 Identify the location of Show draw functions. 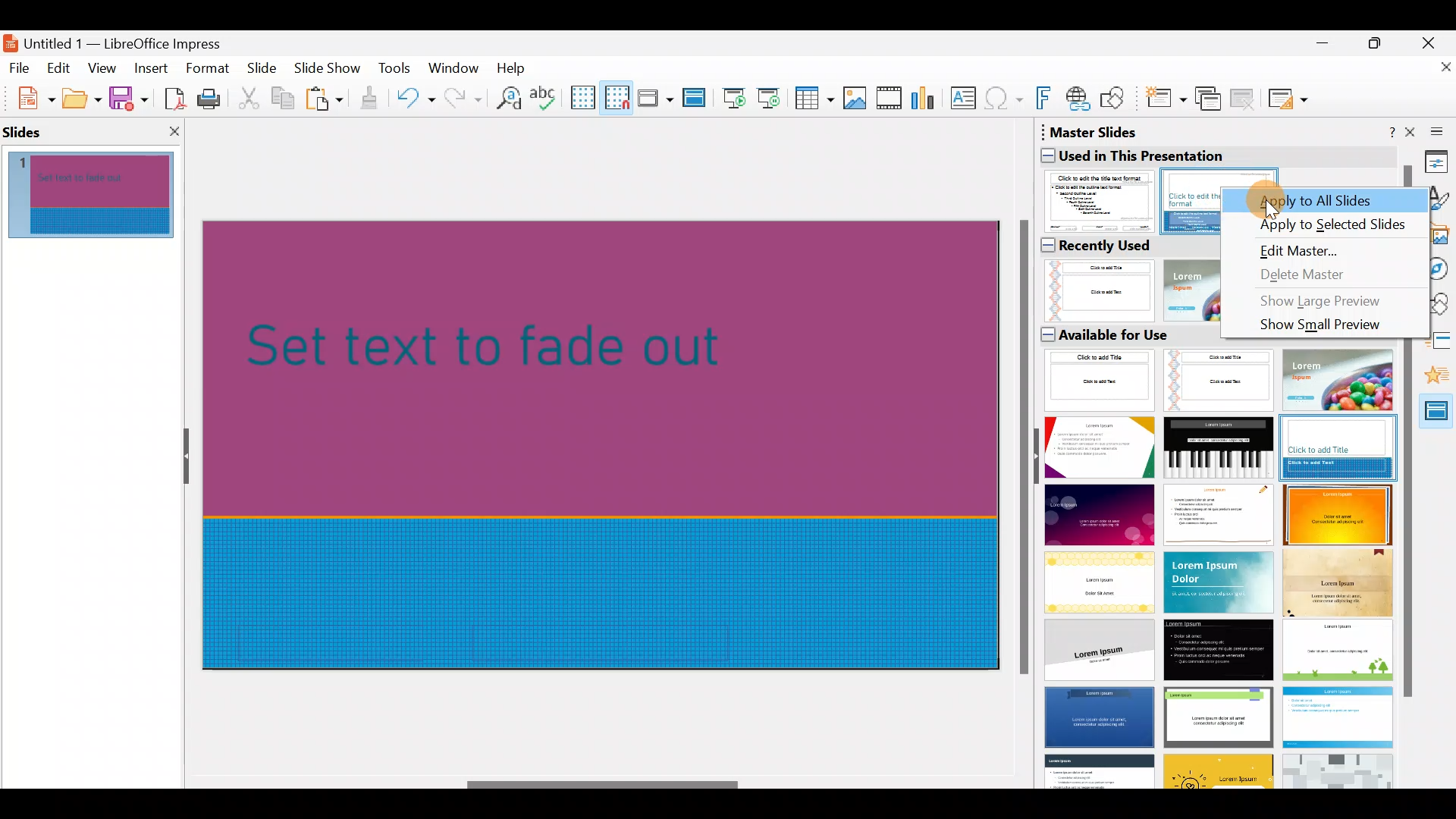
(1116, 99).